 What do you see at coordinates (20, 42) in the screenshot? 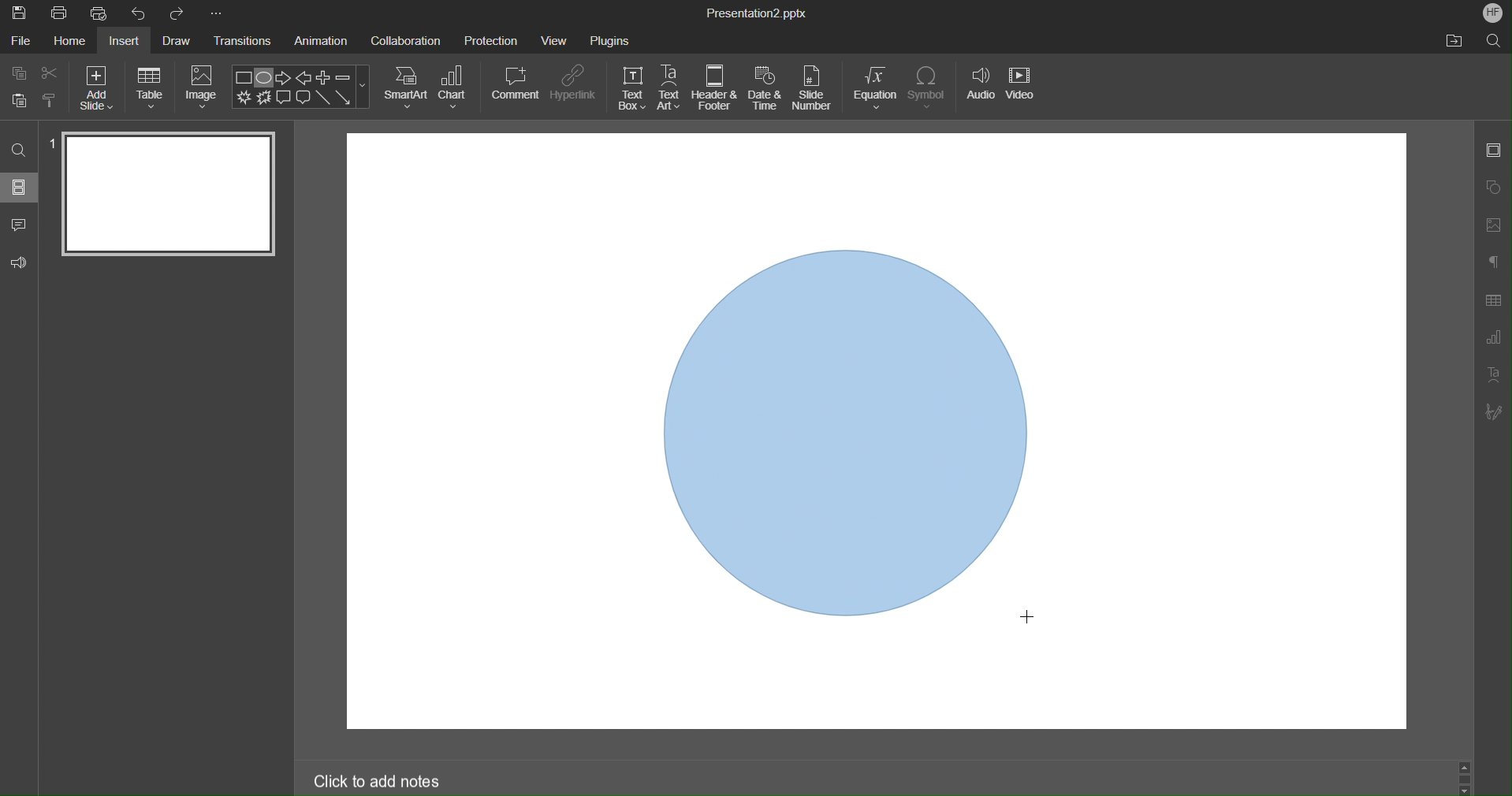
I see `File` at bounding box center [20, 42].